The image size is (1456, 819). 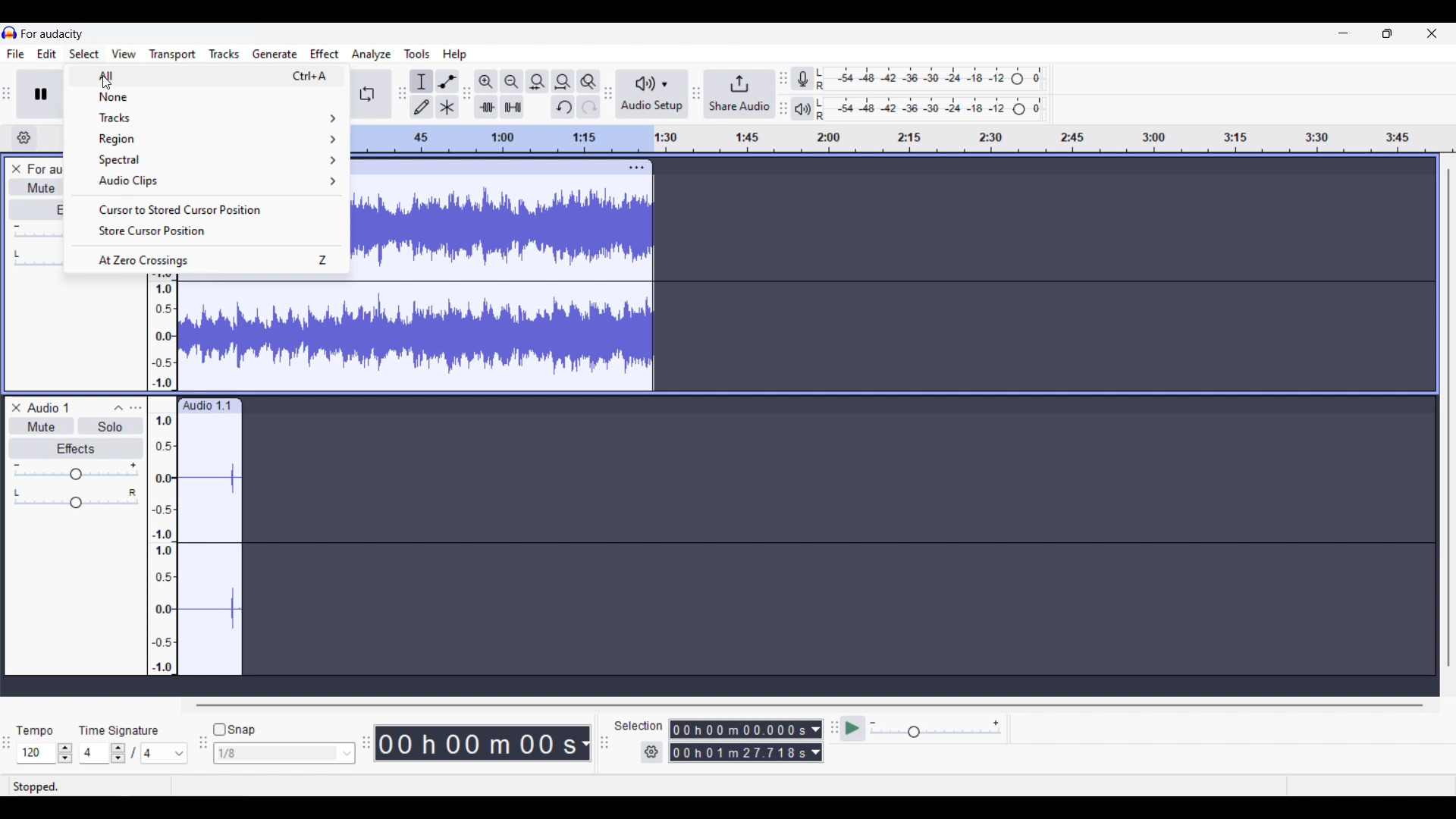 What do you see at coordinates (172, 54) in the screenshot?
I see `Transport` at bounding box center [172, 54].